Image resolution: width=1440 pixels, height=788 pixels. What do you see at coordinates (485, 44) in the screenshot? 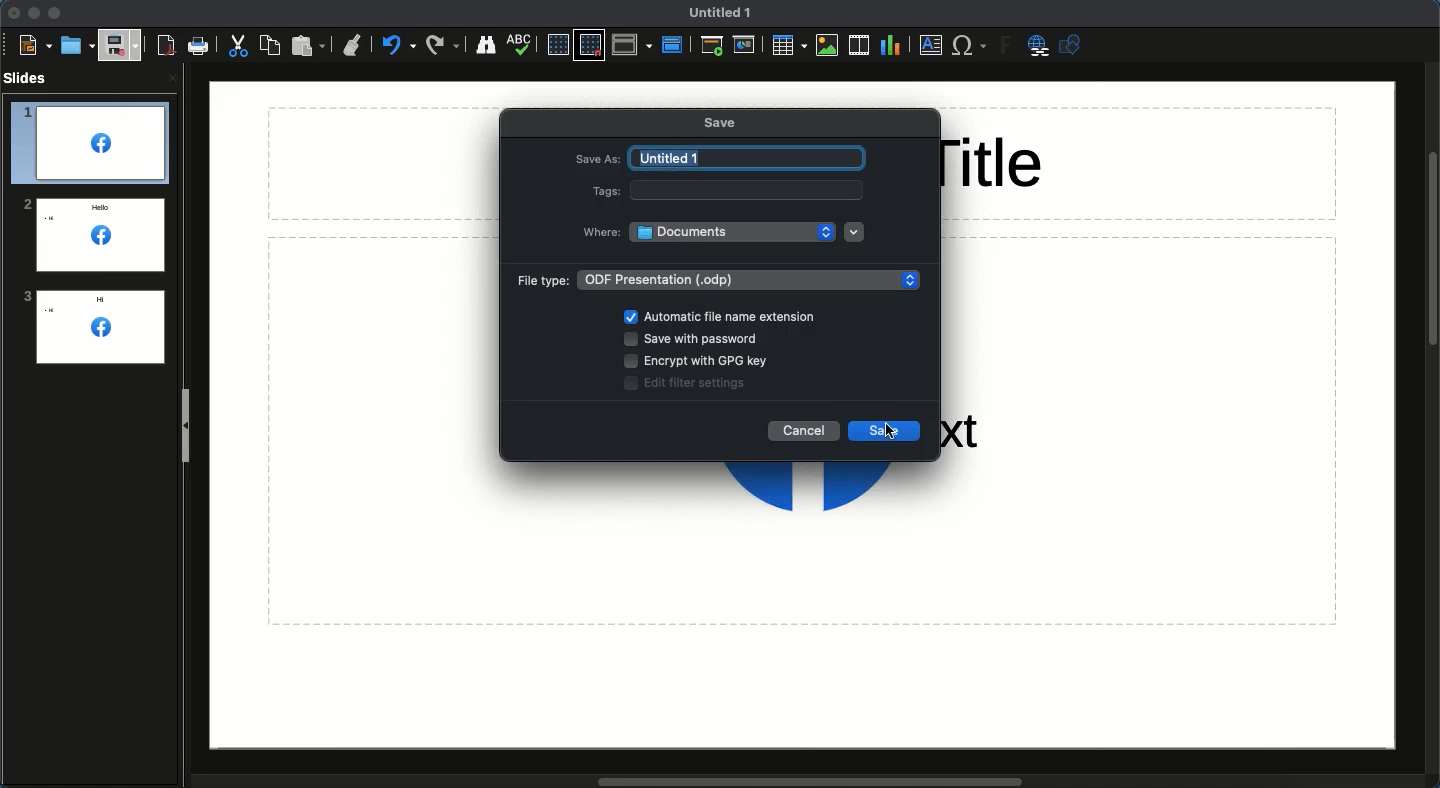
I see `Finder` at bounding box center [485, 44].